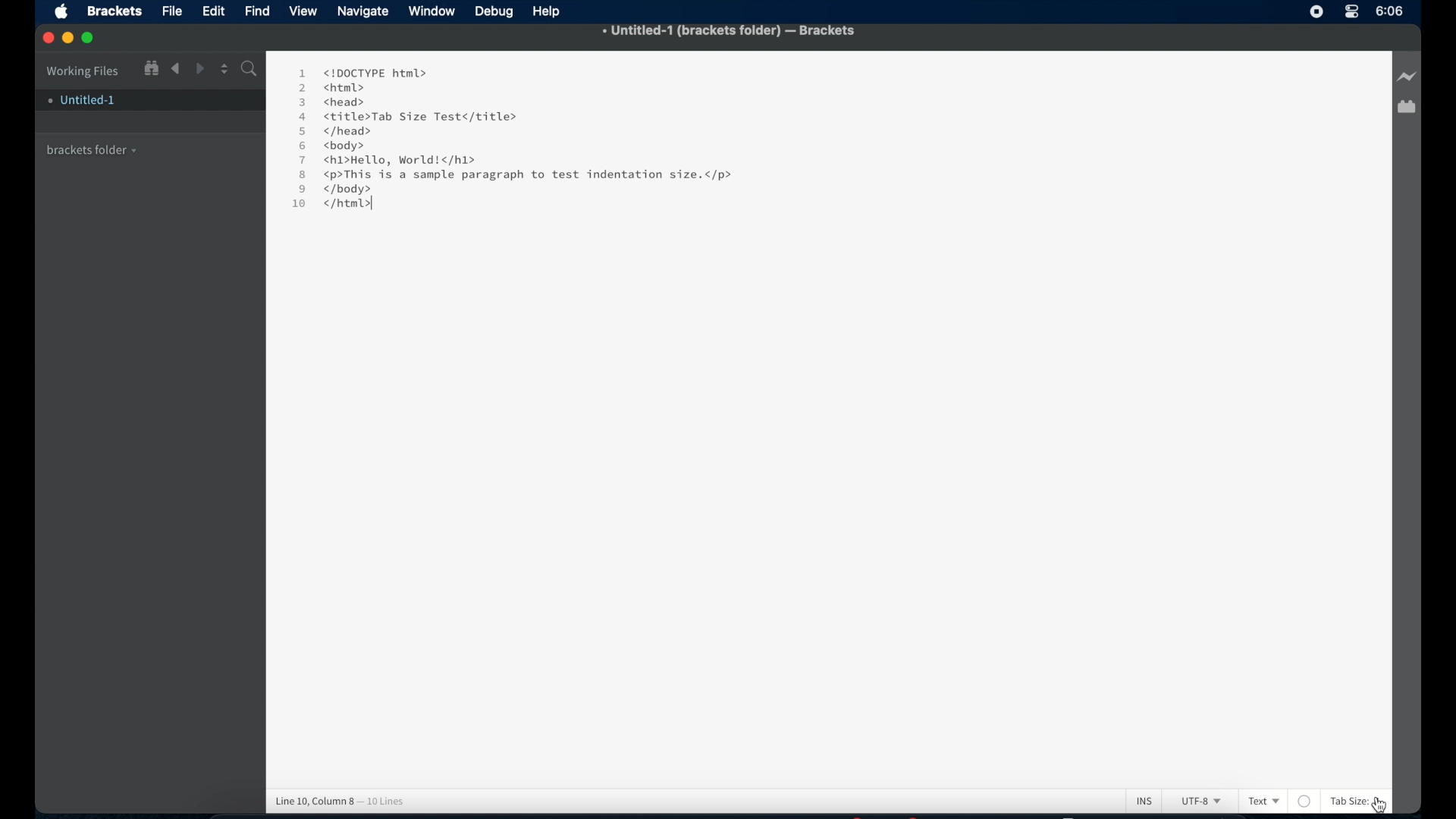  I want to click on 6:06, so click(1390, 11).